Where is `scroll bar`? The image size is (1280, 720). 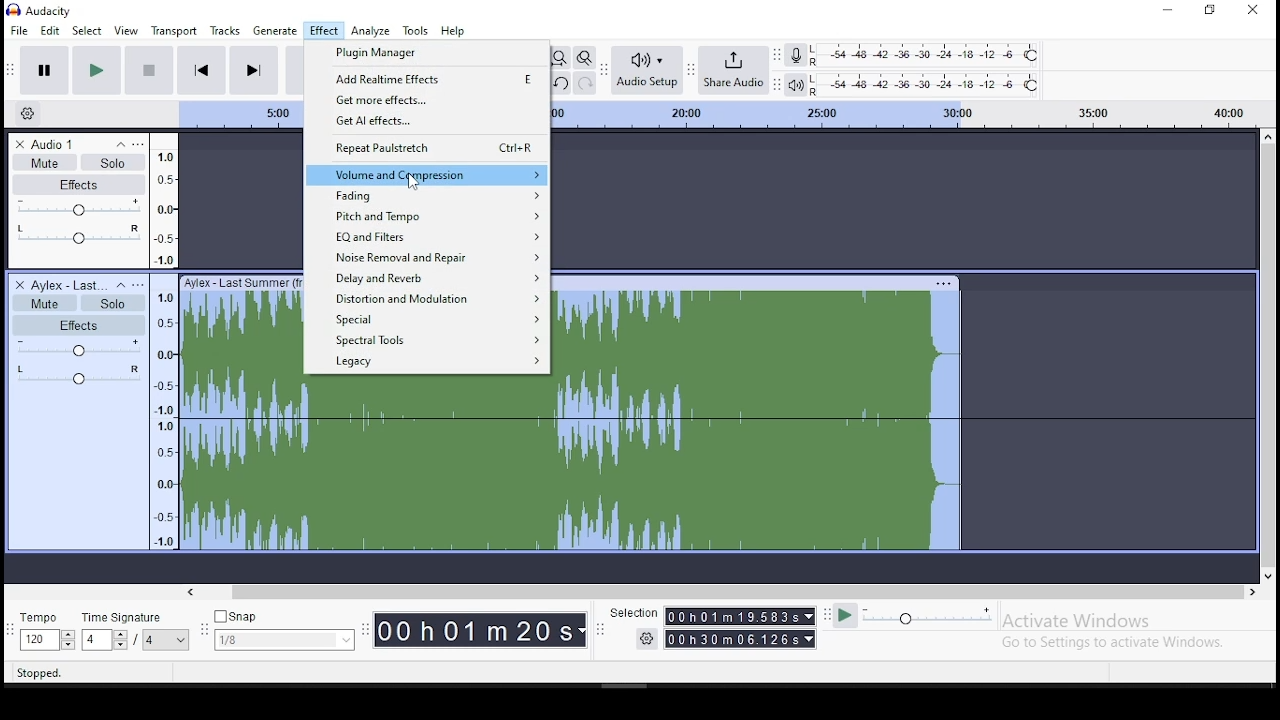 scroll bar is located at coordinates (1266, 353).